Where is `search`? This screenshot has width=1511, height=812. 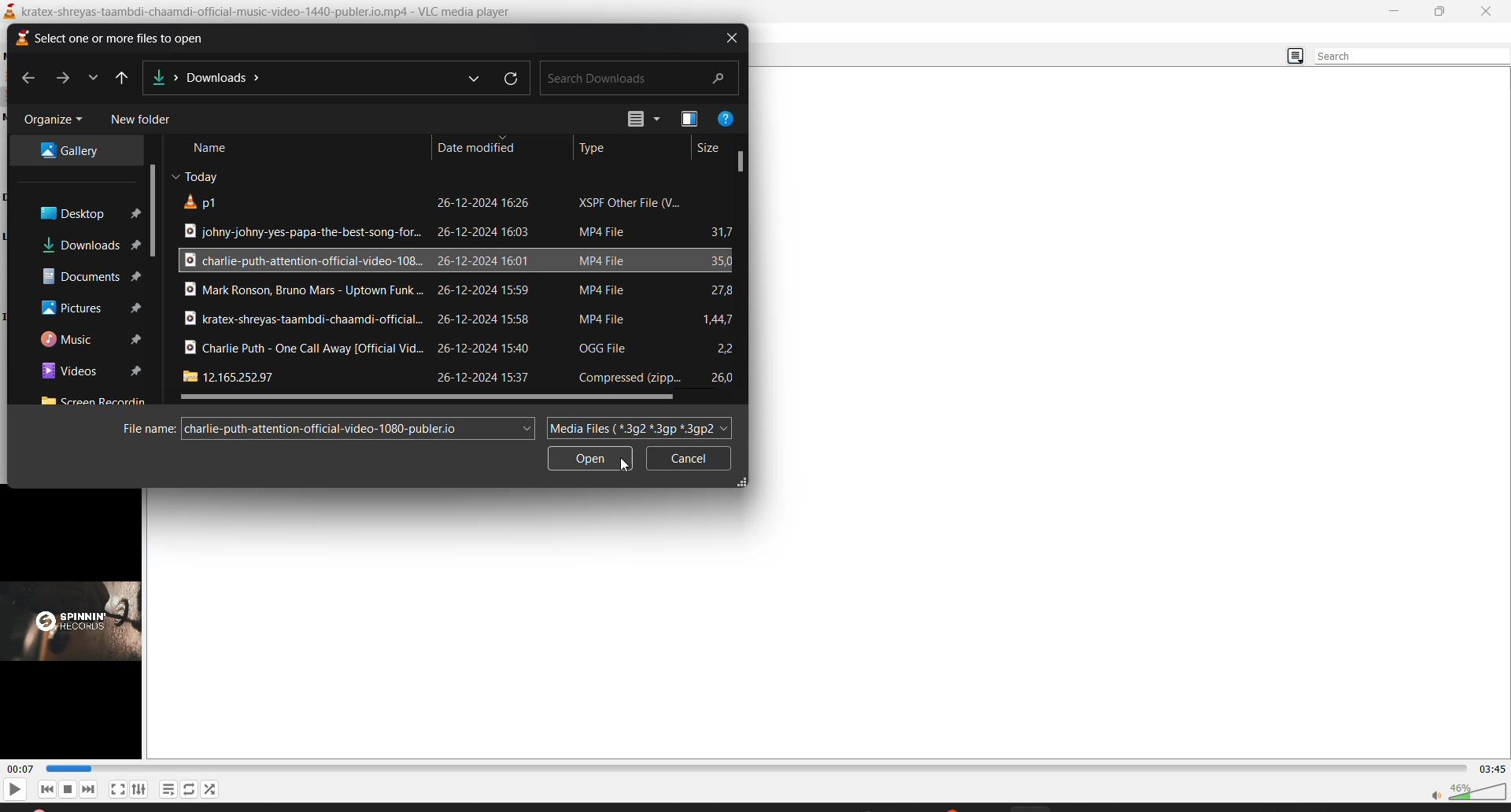 search is located at coordinates (1401, 53).